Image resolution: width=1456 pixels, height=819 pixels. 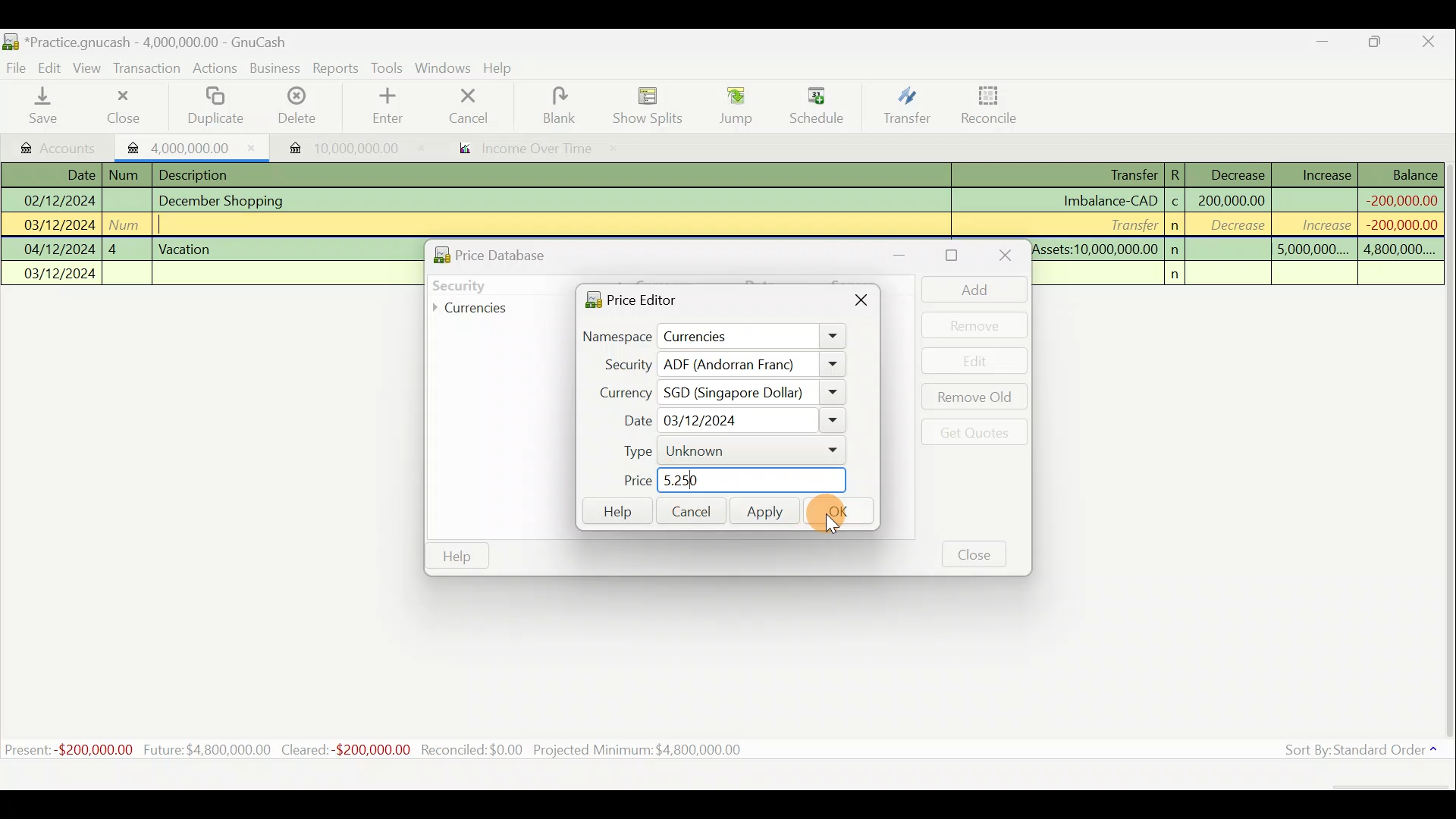 What do you see at coordinates (53, 145) in the screenshot?
I see `Accounts` at bounding box center [53, 145].